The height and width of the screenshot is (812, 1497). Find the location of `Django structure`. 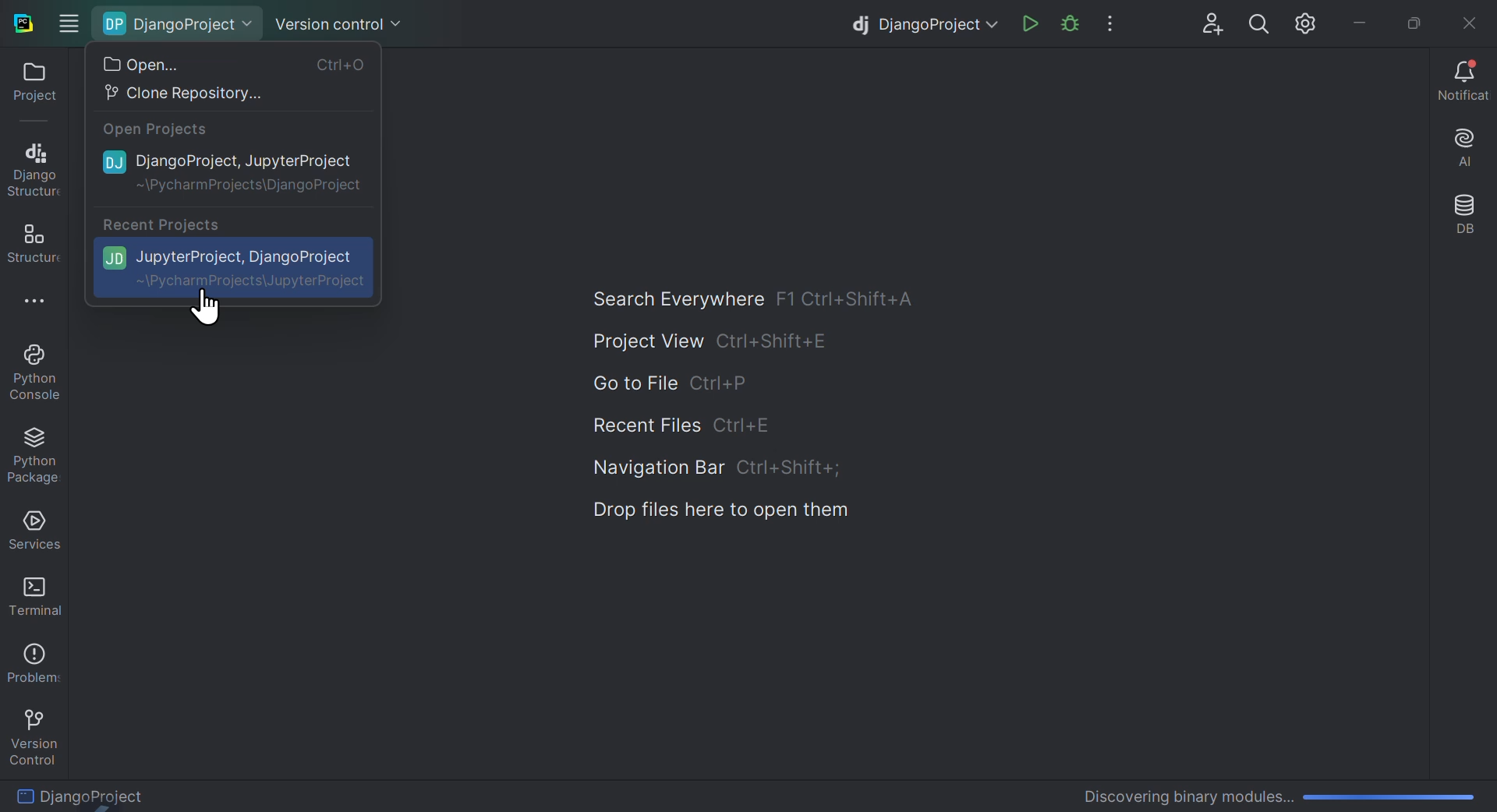

Django structure is located at coordinates (33, 167).